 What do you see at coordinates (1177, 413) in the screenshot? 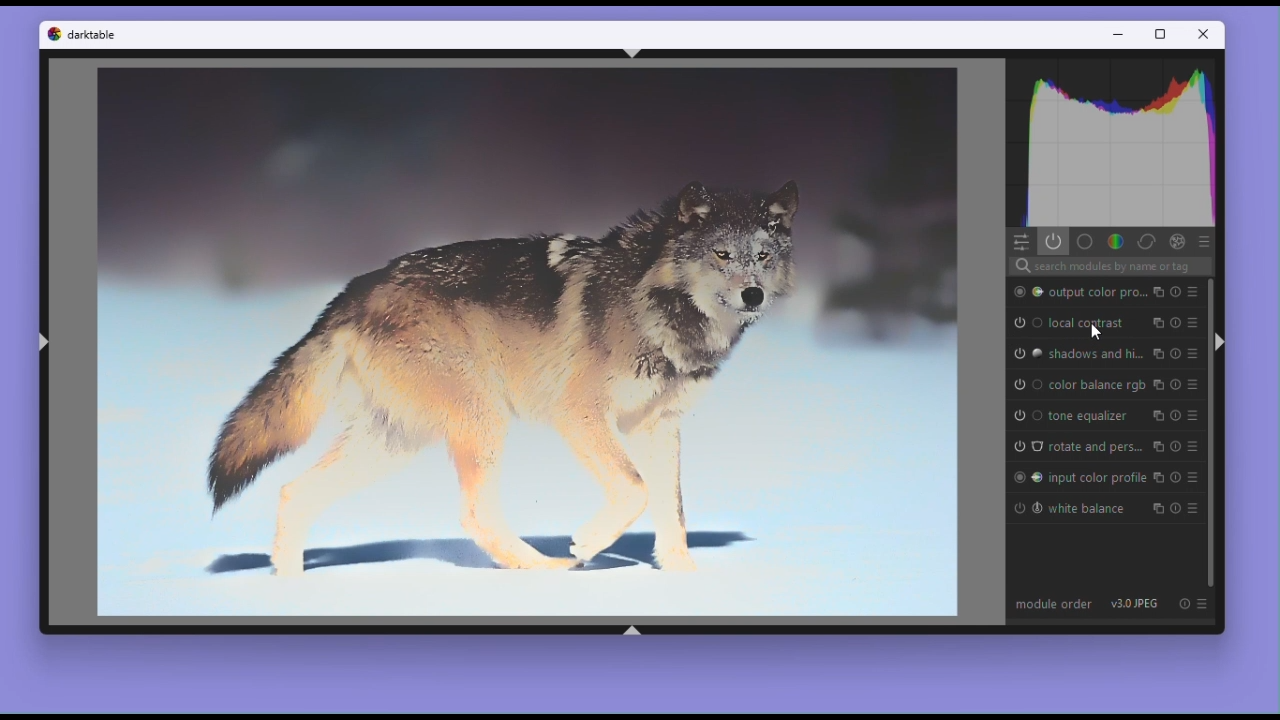
I see `Reset parameters` at bounding box center [1177, 413].